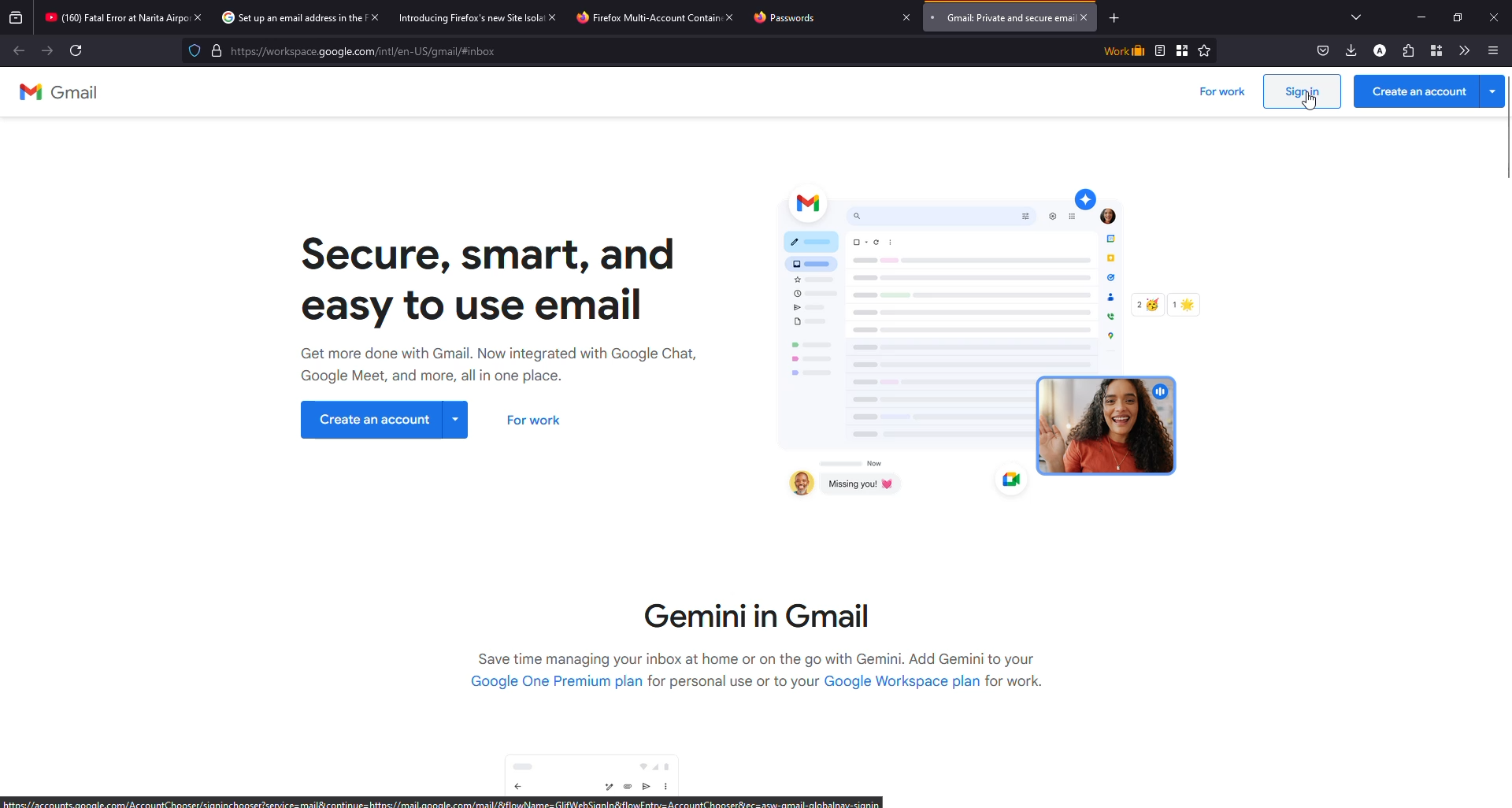  Describe the element at coordinates (370, 54) in the screenshot. I see `https://workspace.google.com/intl/en-US/gmail/#inbox` at that location.